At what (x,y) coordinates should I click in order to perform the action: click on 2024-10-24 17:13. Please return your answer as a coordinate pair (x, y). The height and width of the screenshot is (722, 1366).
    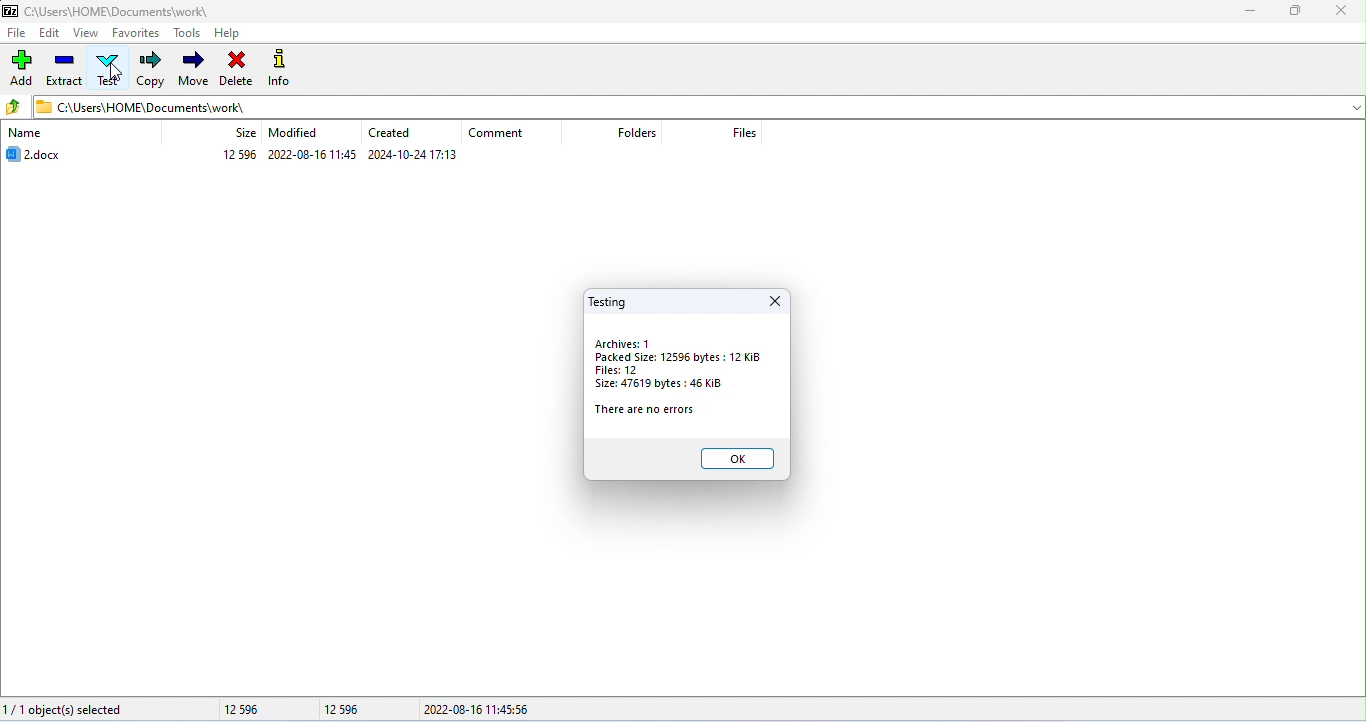
    Looking at the image, I should click on (413, 155).